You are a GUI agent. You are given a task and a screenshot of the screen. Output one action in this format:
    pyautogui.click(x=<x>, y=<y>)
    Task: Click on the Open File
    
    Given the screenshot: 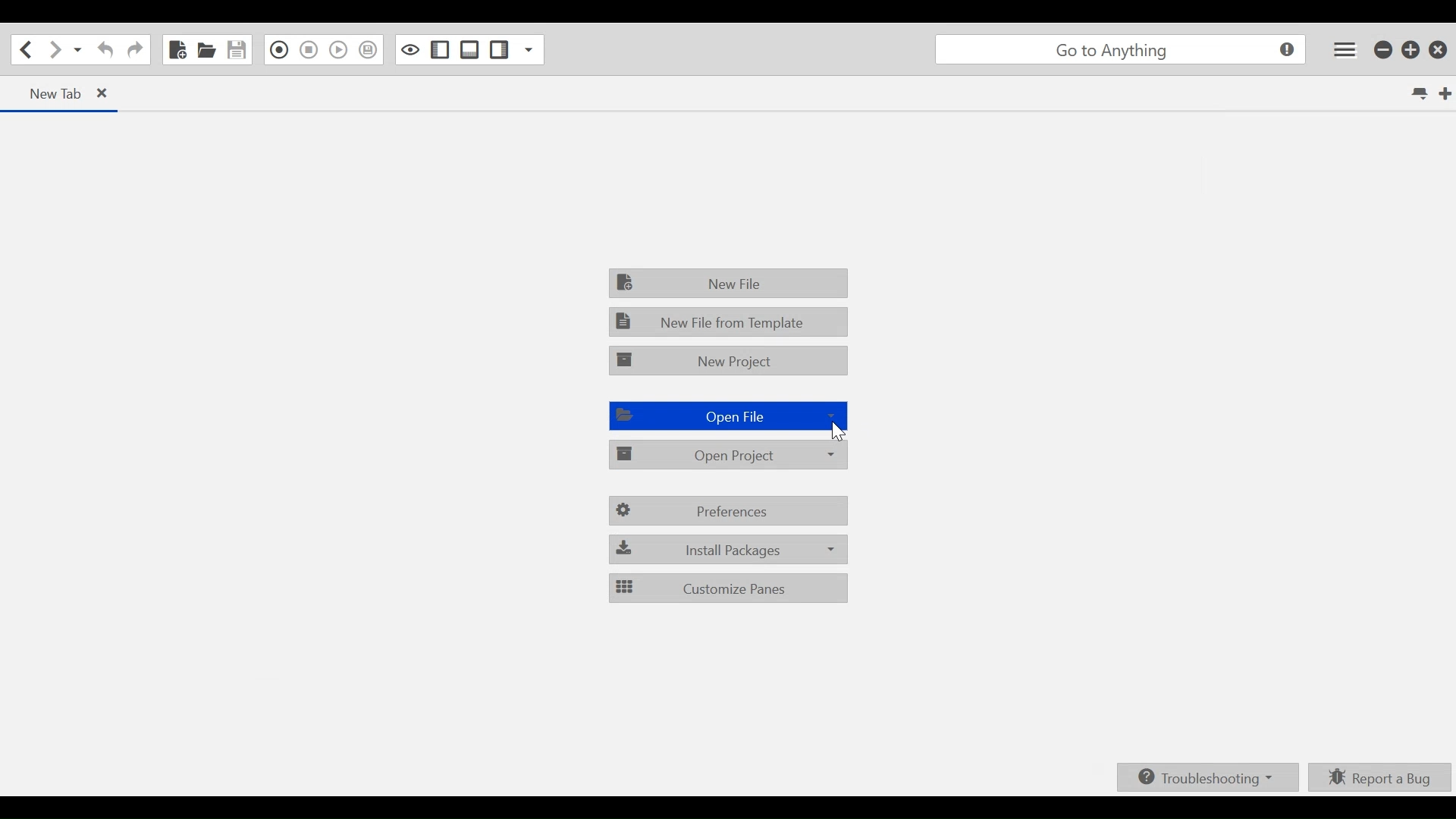 What is the action you would take?
    pyautogui.click(x=726, y=416)
    